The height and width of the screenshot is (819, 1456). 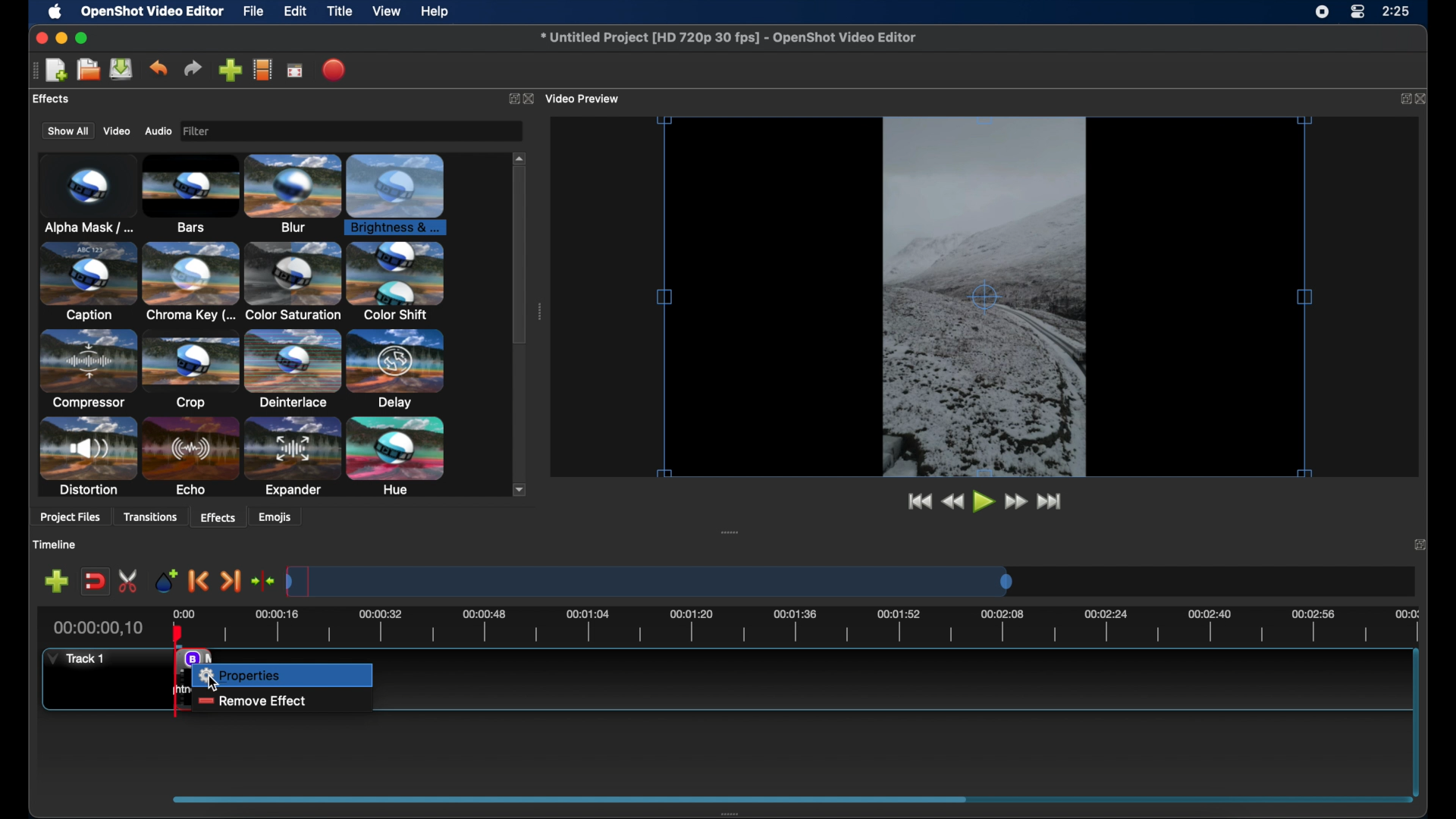 What do you see at coordinates (191, 457) in the screenshot?
I see `echo` at bounding box center [191, 457].